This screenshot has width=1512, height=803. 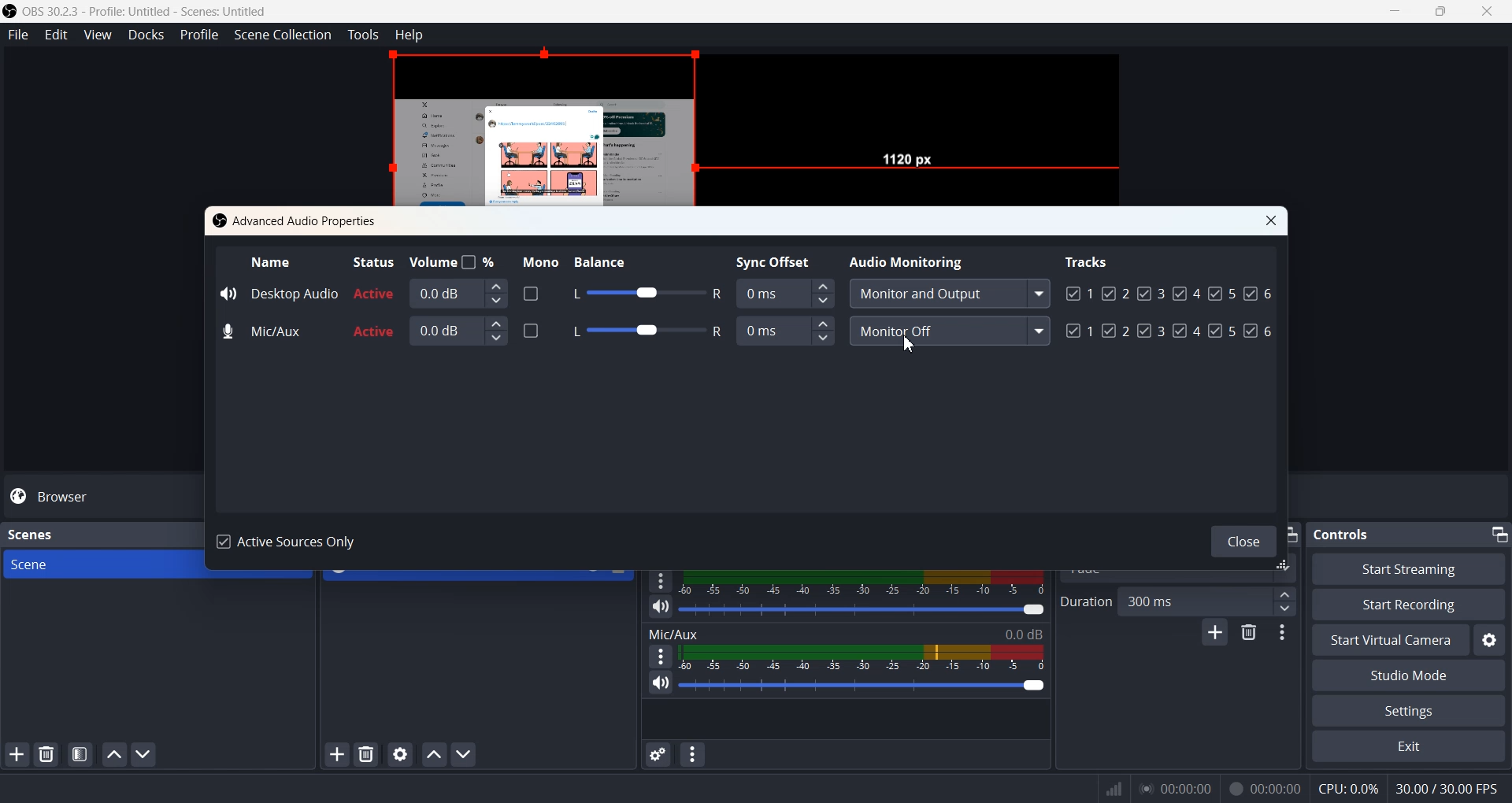 What do you see at coordinates (372, 261) in the screenshot?
I see `Status` at bounding box center [372, 261].